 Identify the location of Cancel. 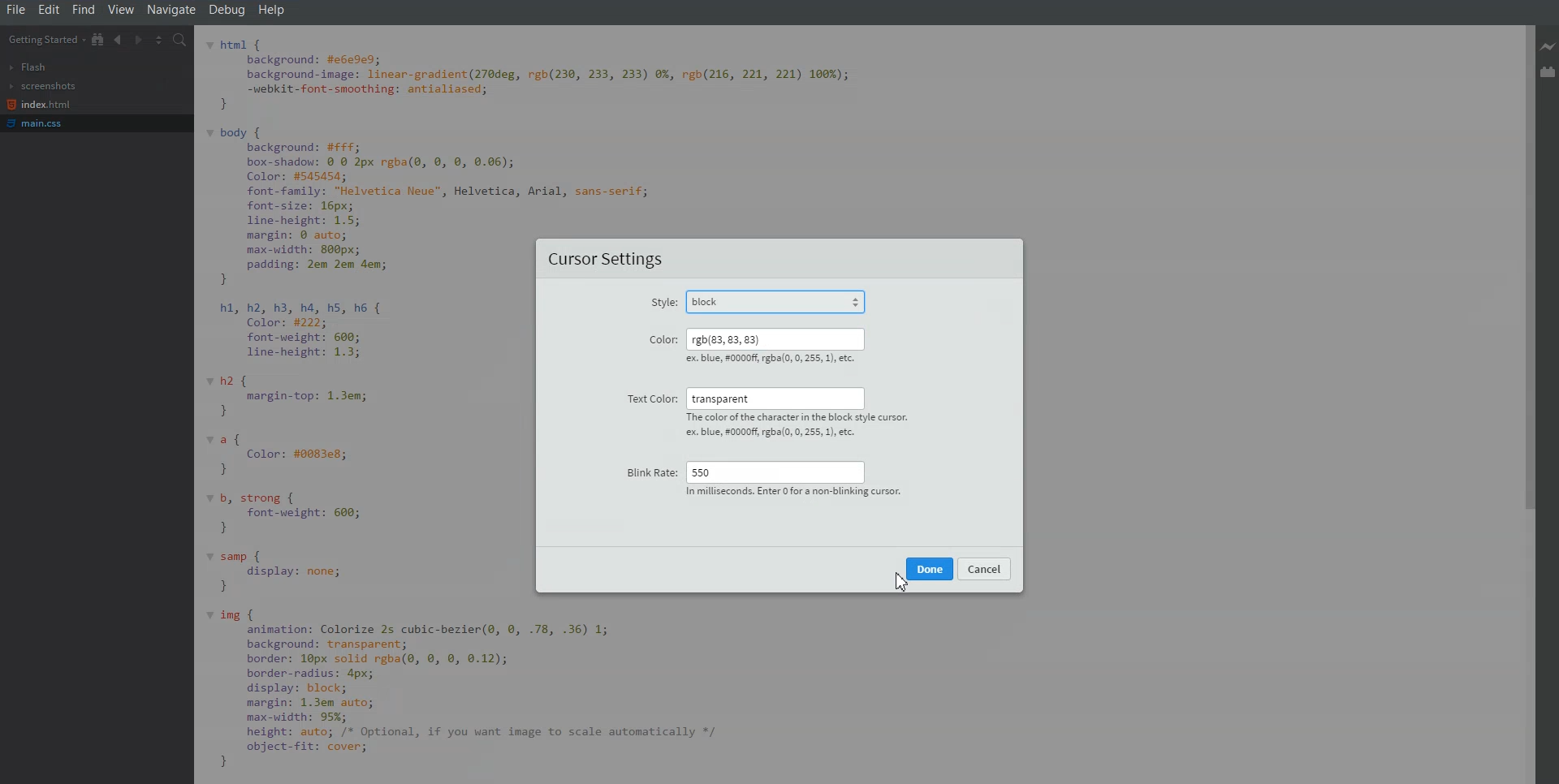
(985, 568).